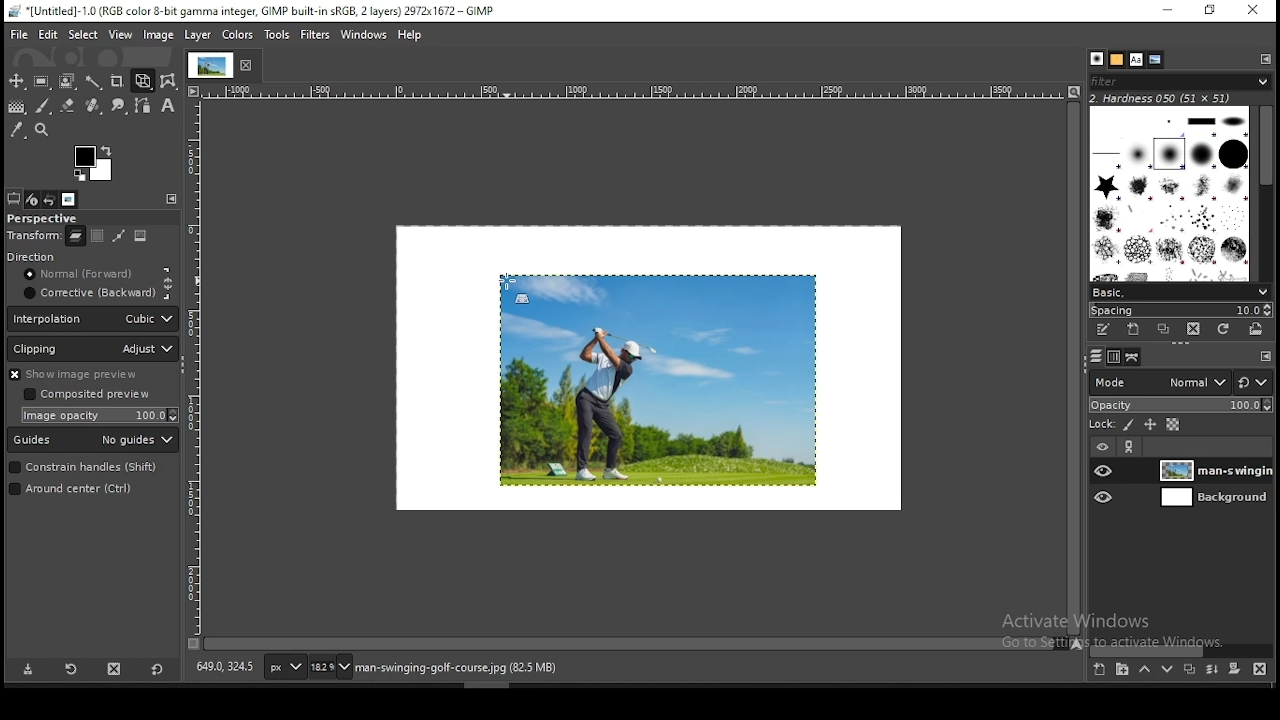 The image size is (1280, 720). I want to click on color picker tool, so click(17, 132).